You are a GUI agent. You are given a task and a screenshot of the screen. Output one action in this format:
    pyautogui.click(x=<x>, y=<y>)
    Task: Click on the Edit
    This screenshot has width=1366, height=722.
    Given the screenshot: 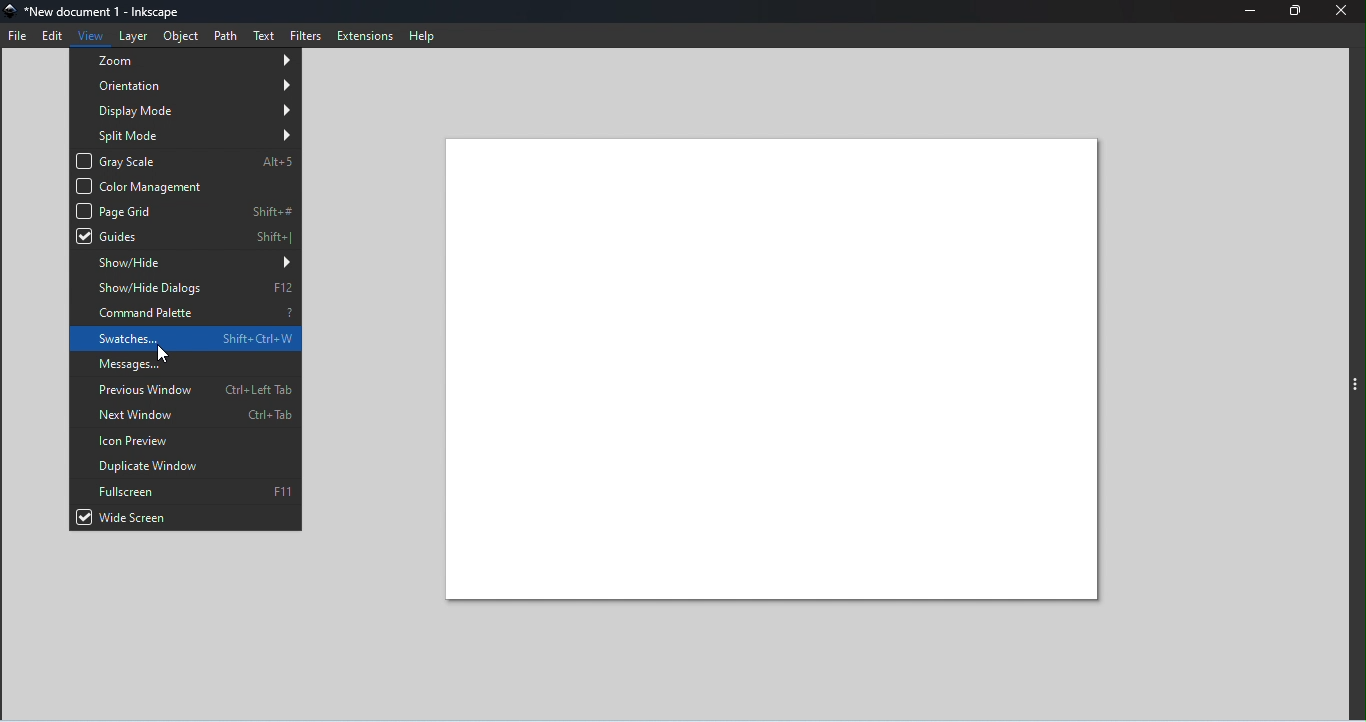 What is the action you would take?
    pyautogui.click(x=57, y=37)
    